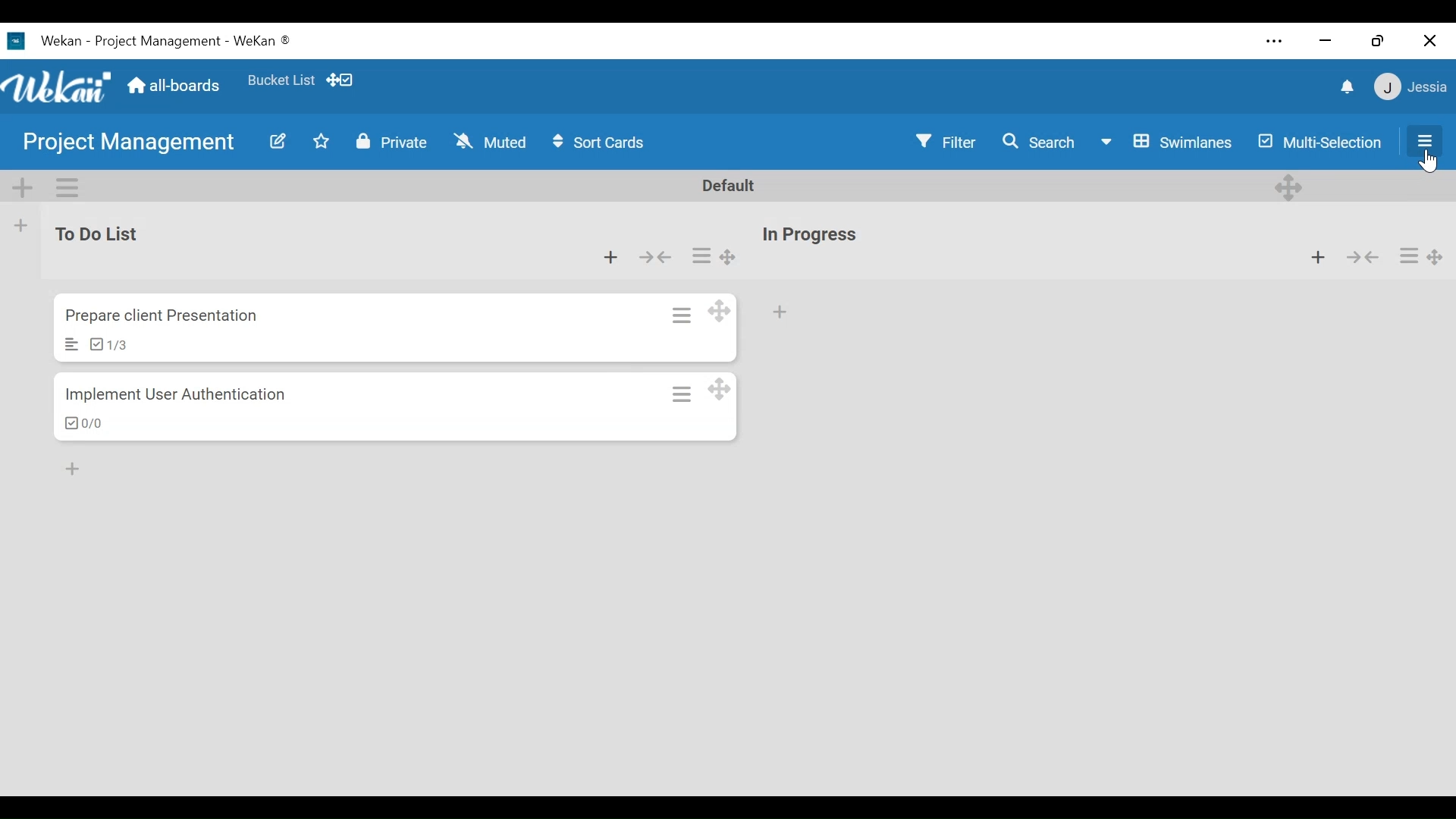  Describe the element at coordinates (71, 344) in the screenshot. I see `Description` at that location.